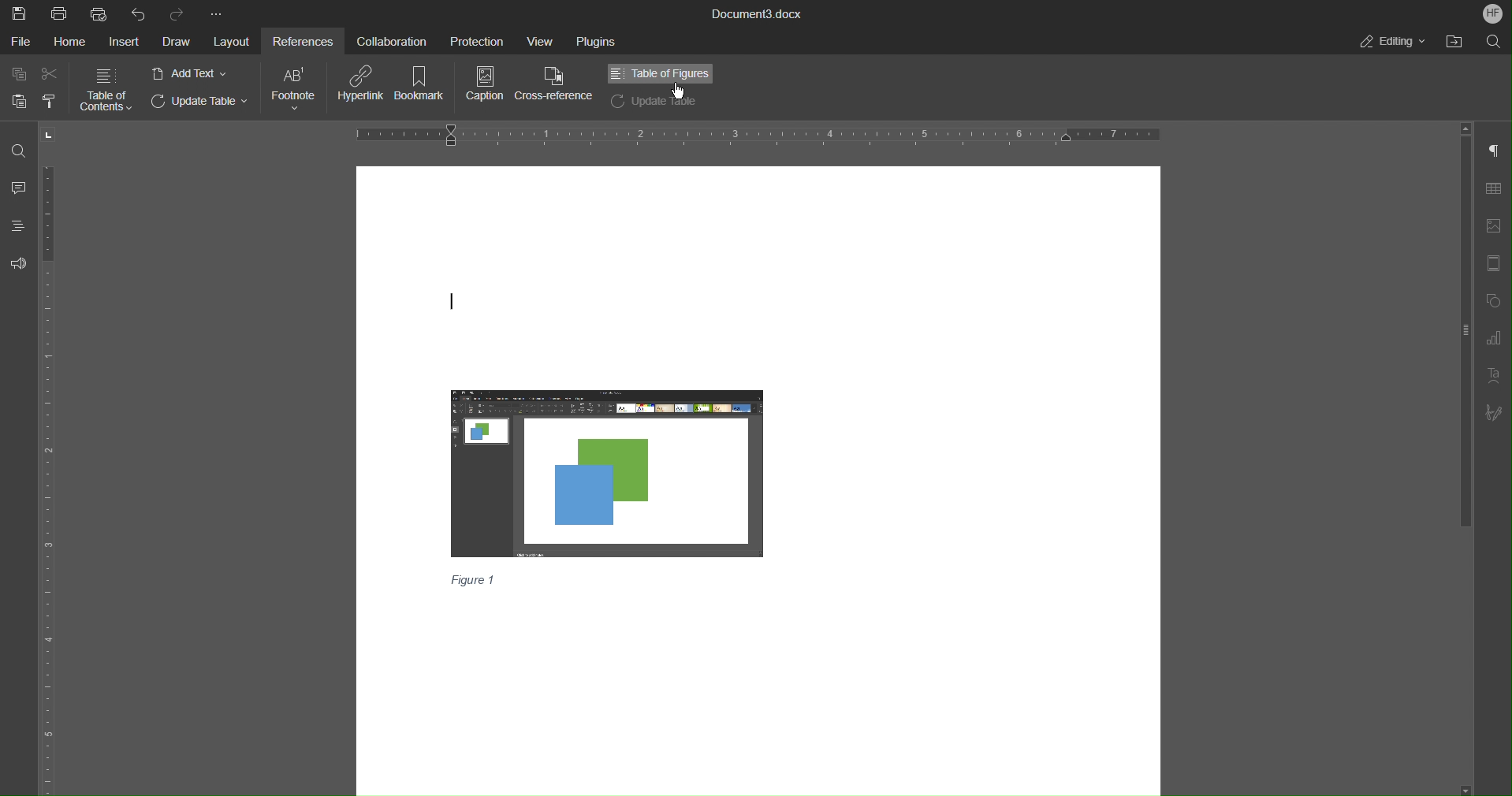 The image size is (1512, 796). Describe the element at coordinates (106, 89) in the screenshot. I see `Table of Contents` at that location.